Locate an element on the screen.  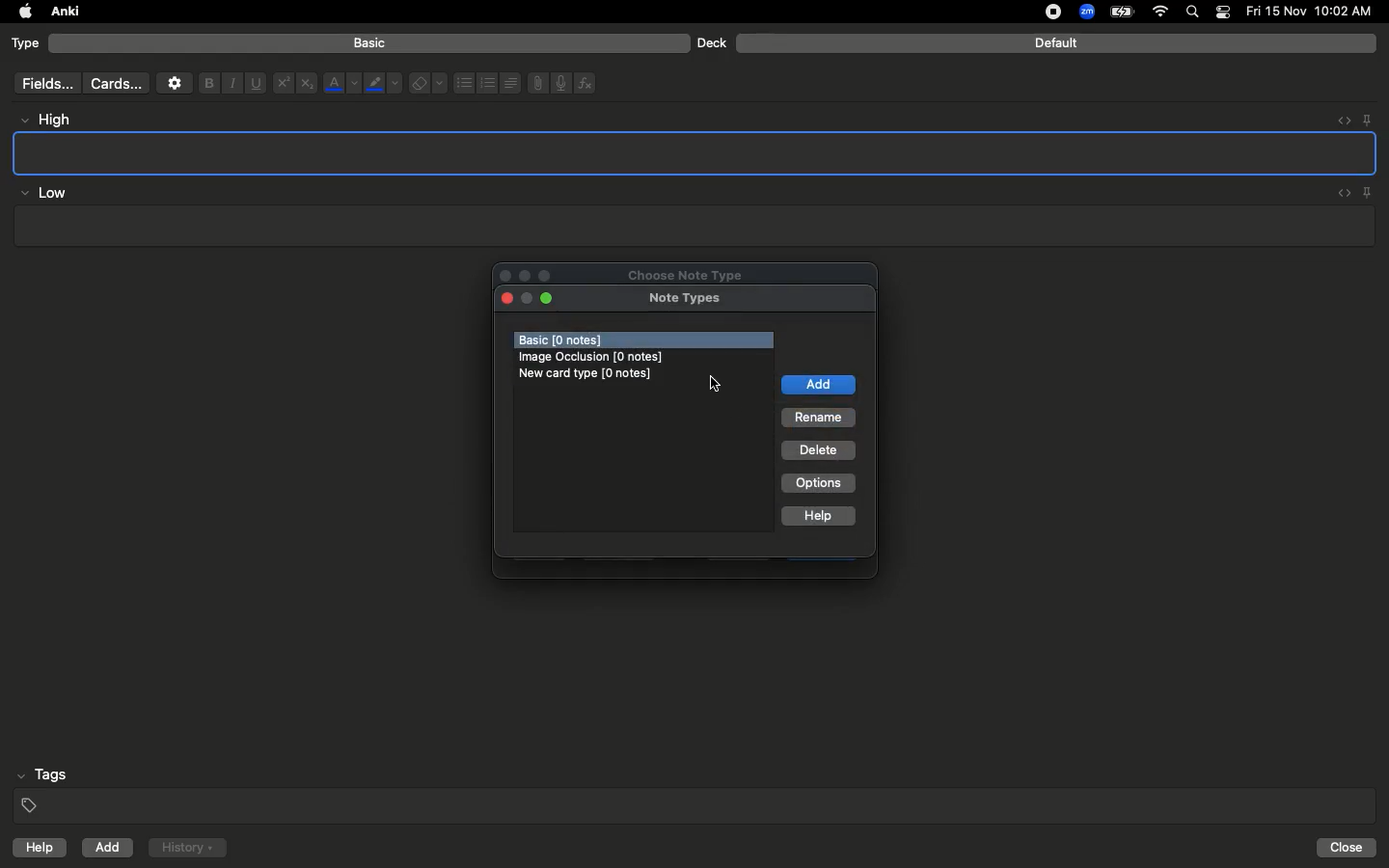
Underline is located at coordinates (255, 84).